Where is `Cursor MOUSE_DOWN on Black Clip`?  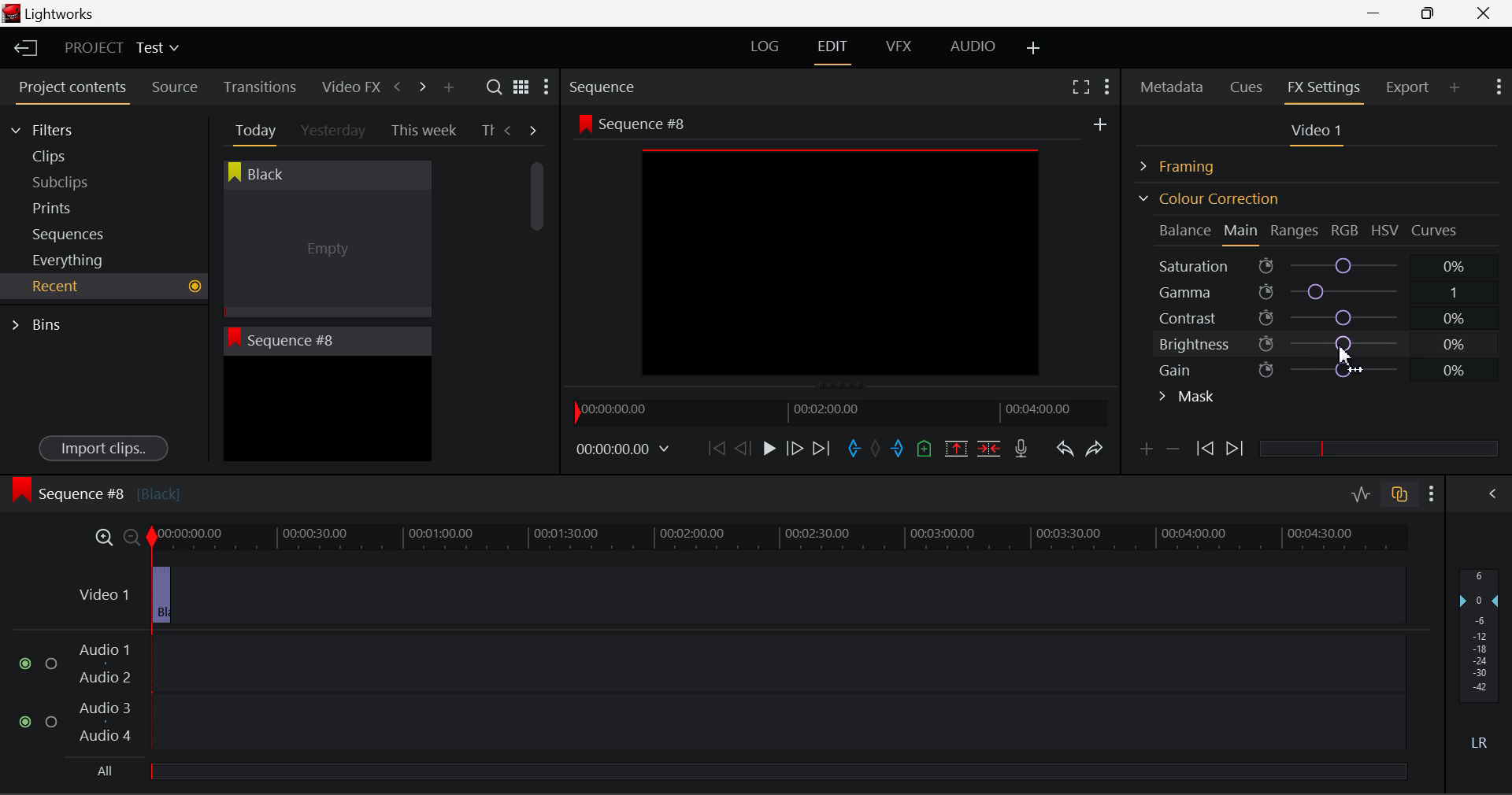 Cursor MOUSE_DOWN on Black Clip is located at coordinates (325, 253).